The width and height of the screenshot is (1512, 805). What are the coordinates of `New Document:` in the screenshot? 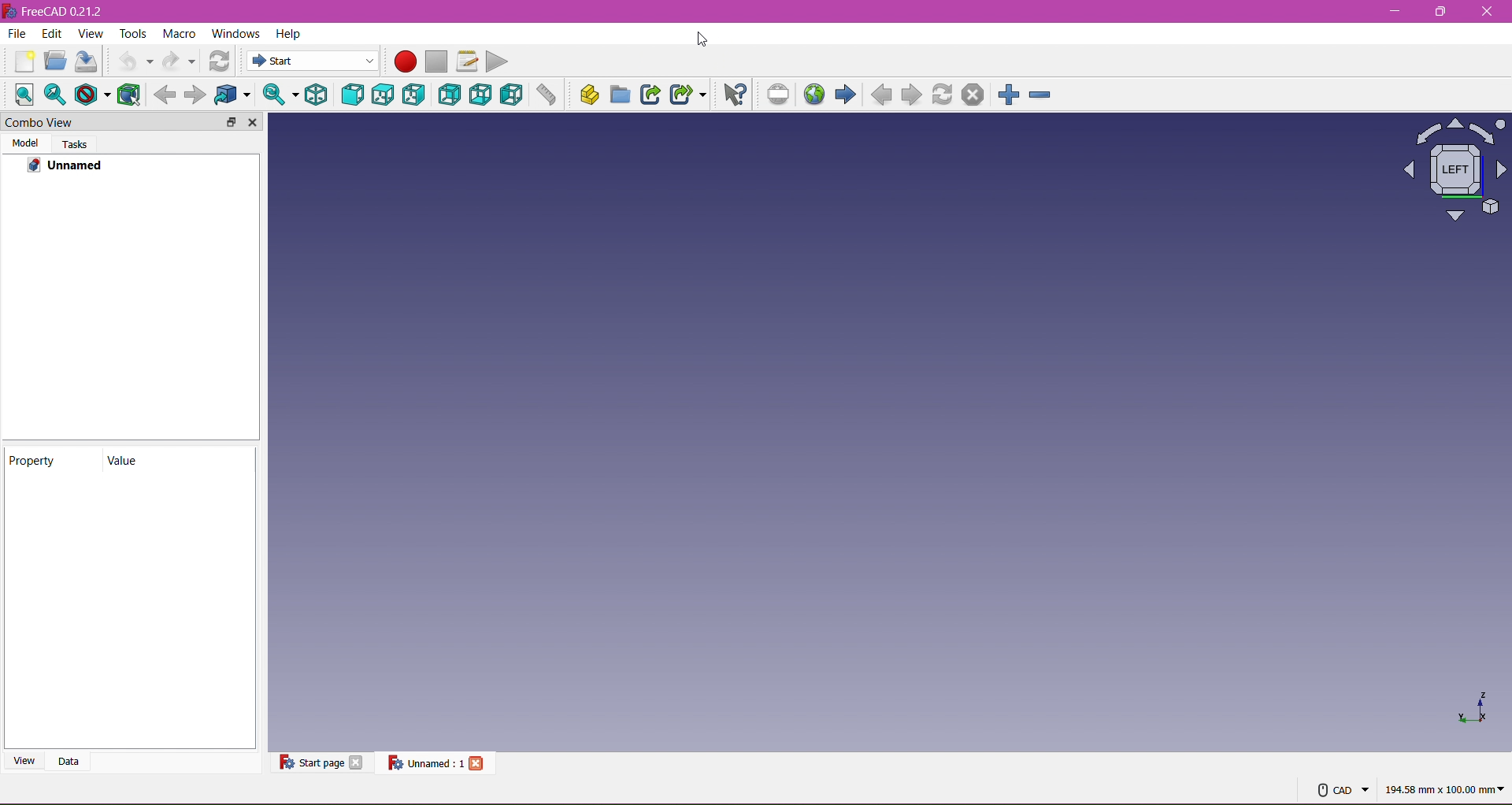 It's located at (25, 62).